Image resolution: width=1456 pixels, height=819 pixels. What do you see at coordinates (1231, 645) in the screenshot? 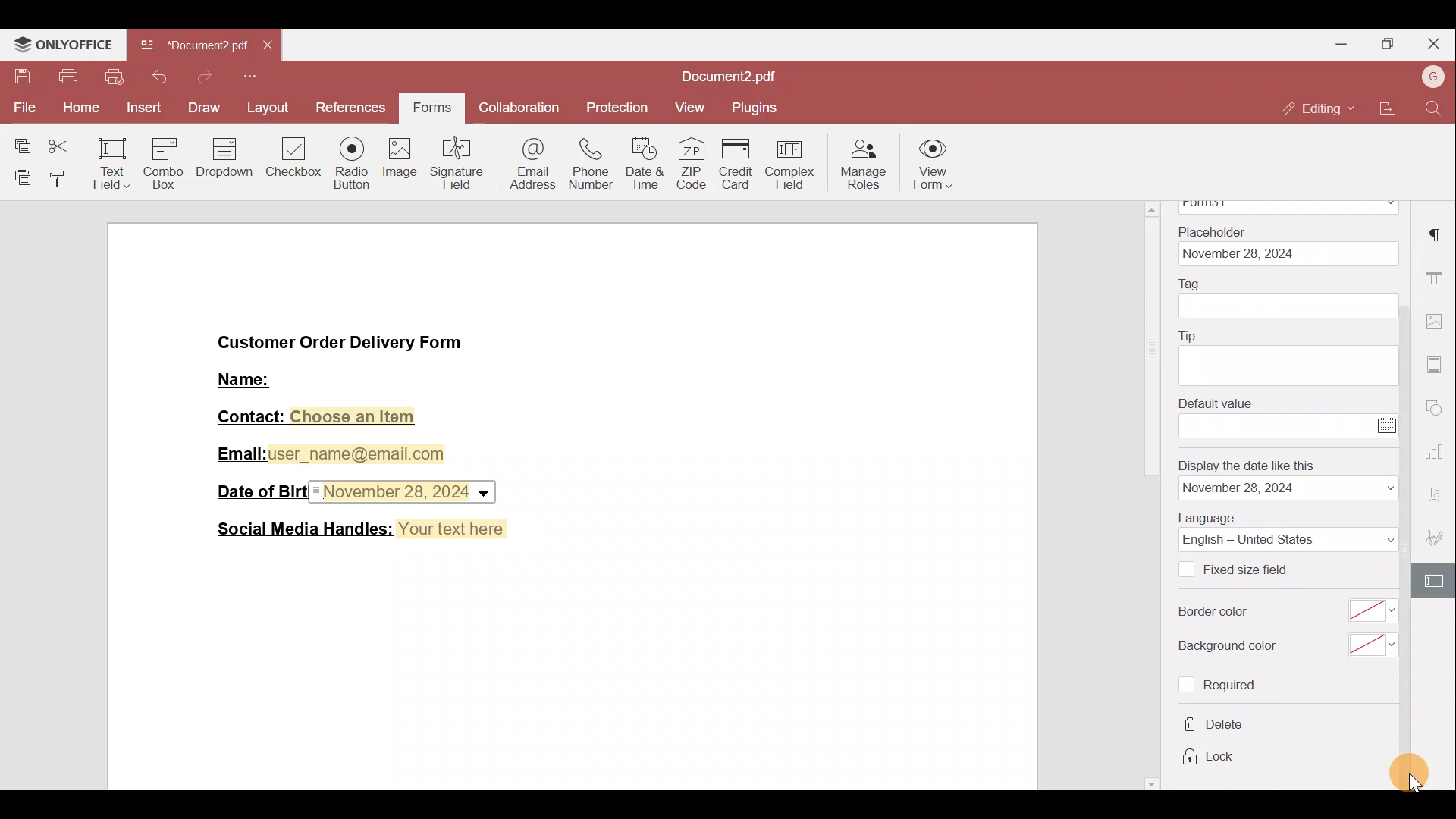
I see `Background color` at bounding box center [1231, 645].